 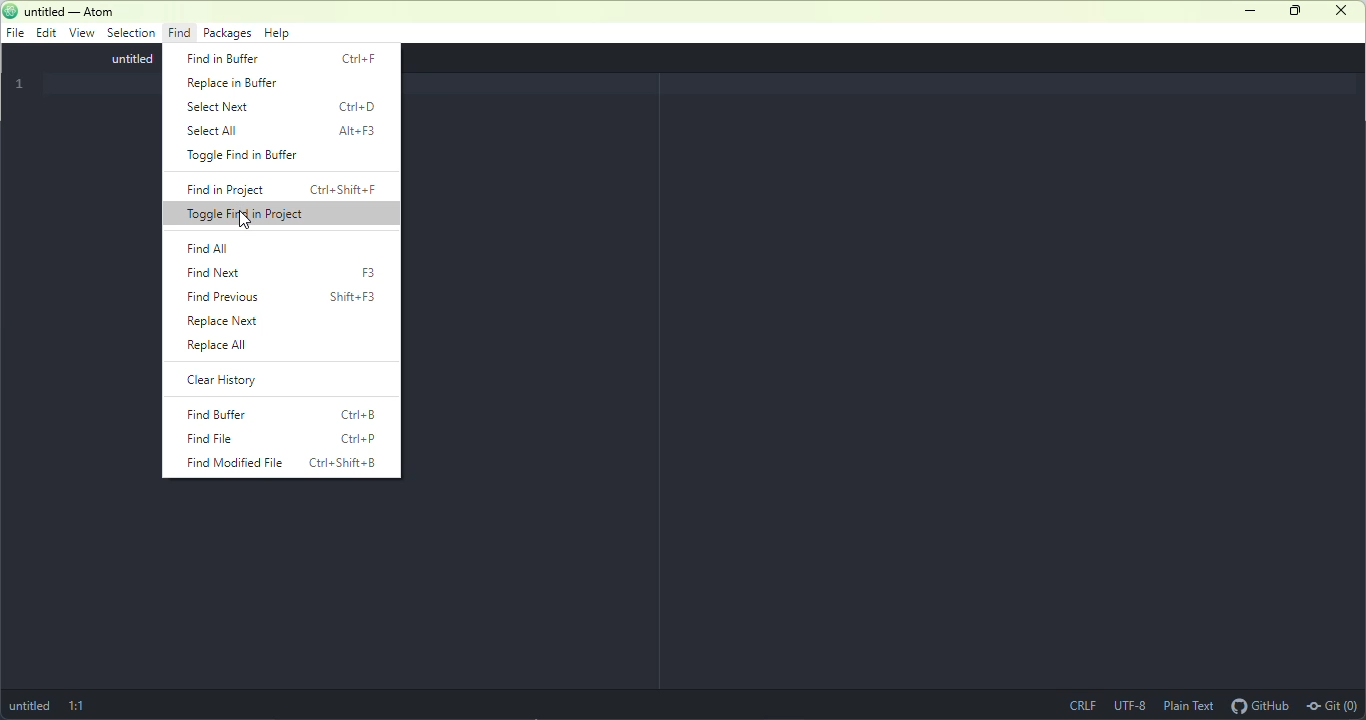 What do you see at coordinates (179, 33) in the screenshot?
I see `find` at bounding box center [179, 33].